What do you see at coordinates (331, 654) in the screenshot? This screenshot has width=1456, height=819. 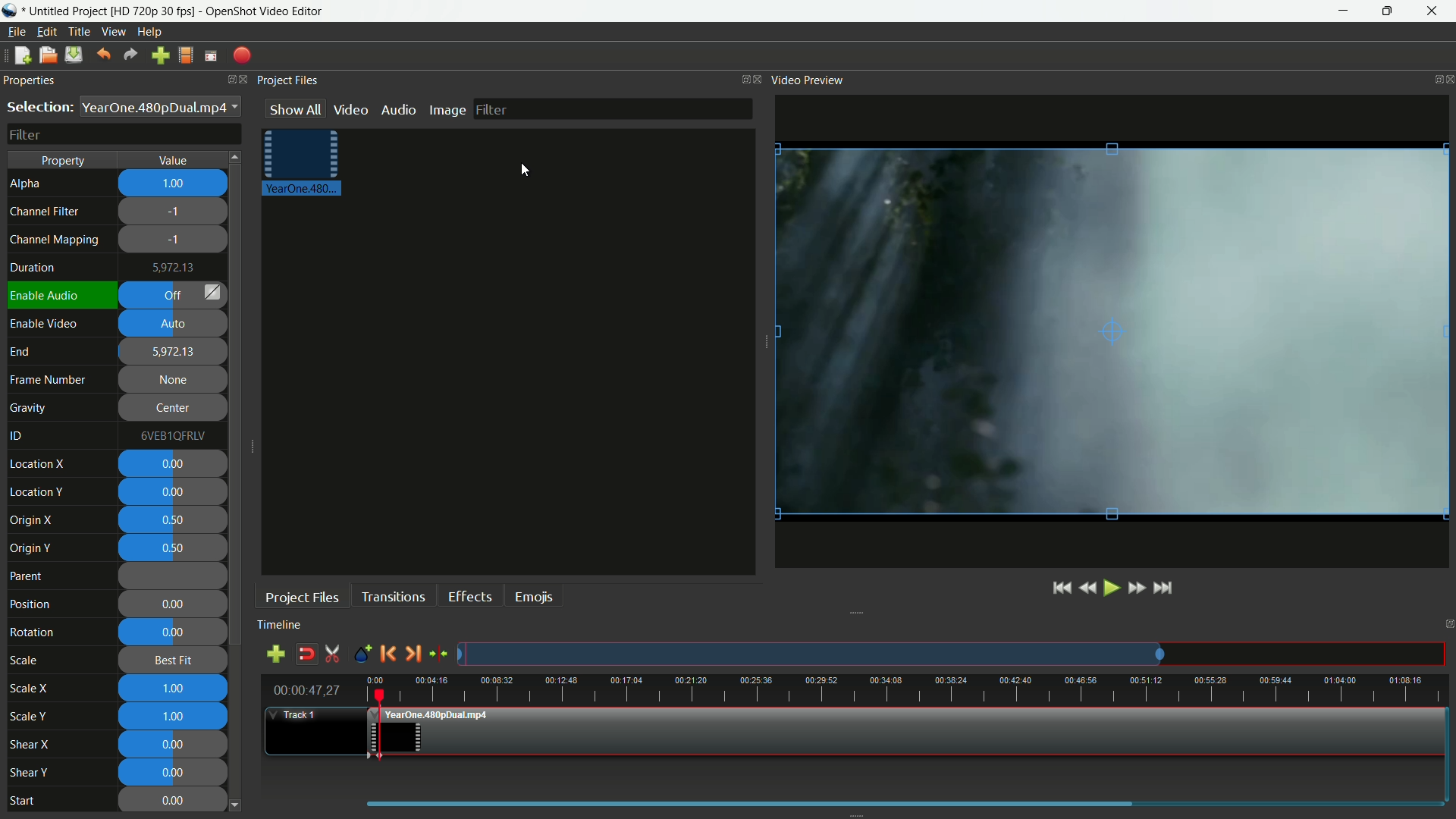 I see `enable razor` at bounding box center [331, 654].